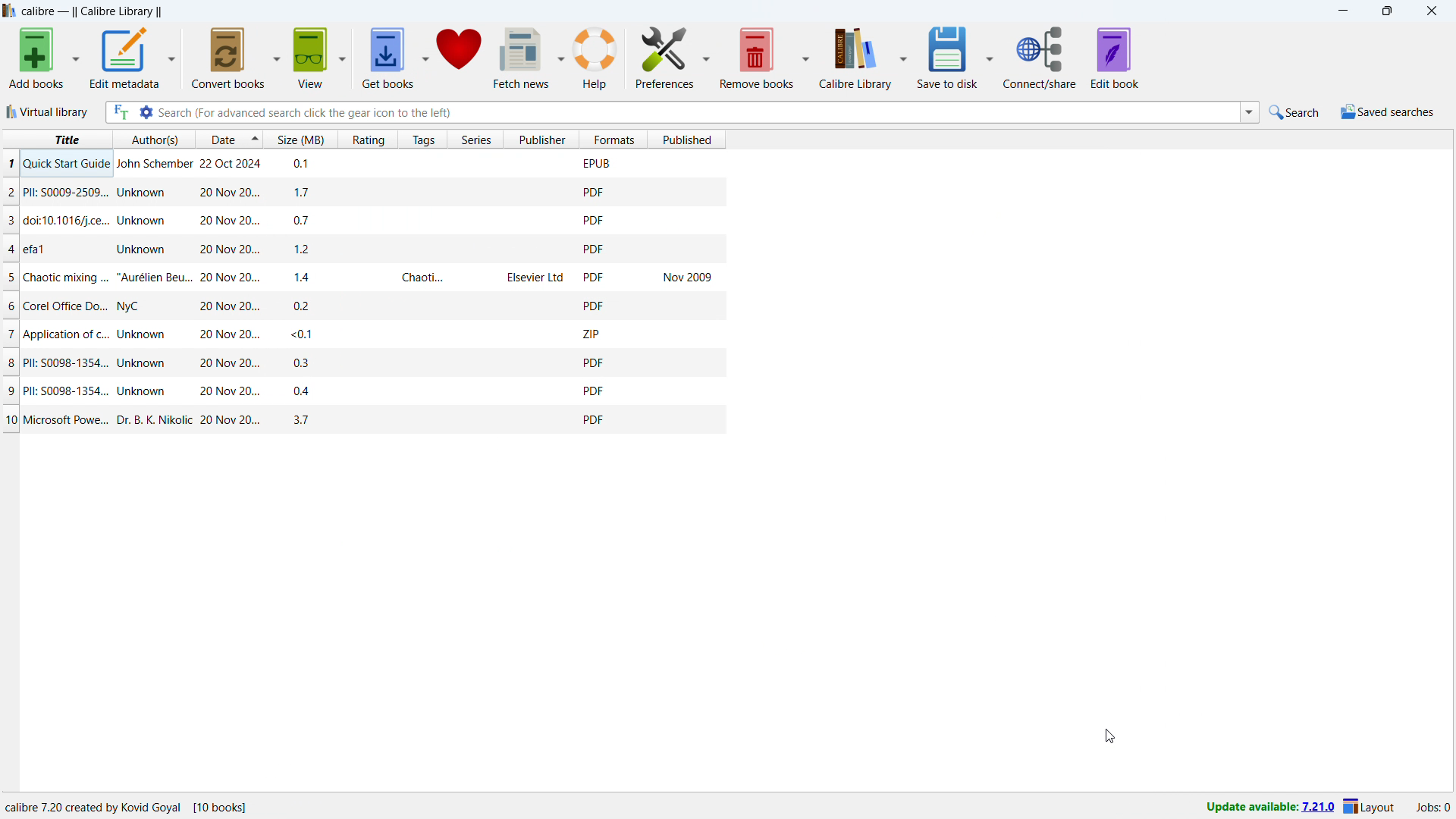  What do you see at coordinates (948, 56) in the screenshot?
I see `save to disk` at bounding box center [948, 56].